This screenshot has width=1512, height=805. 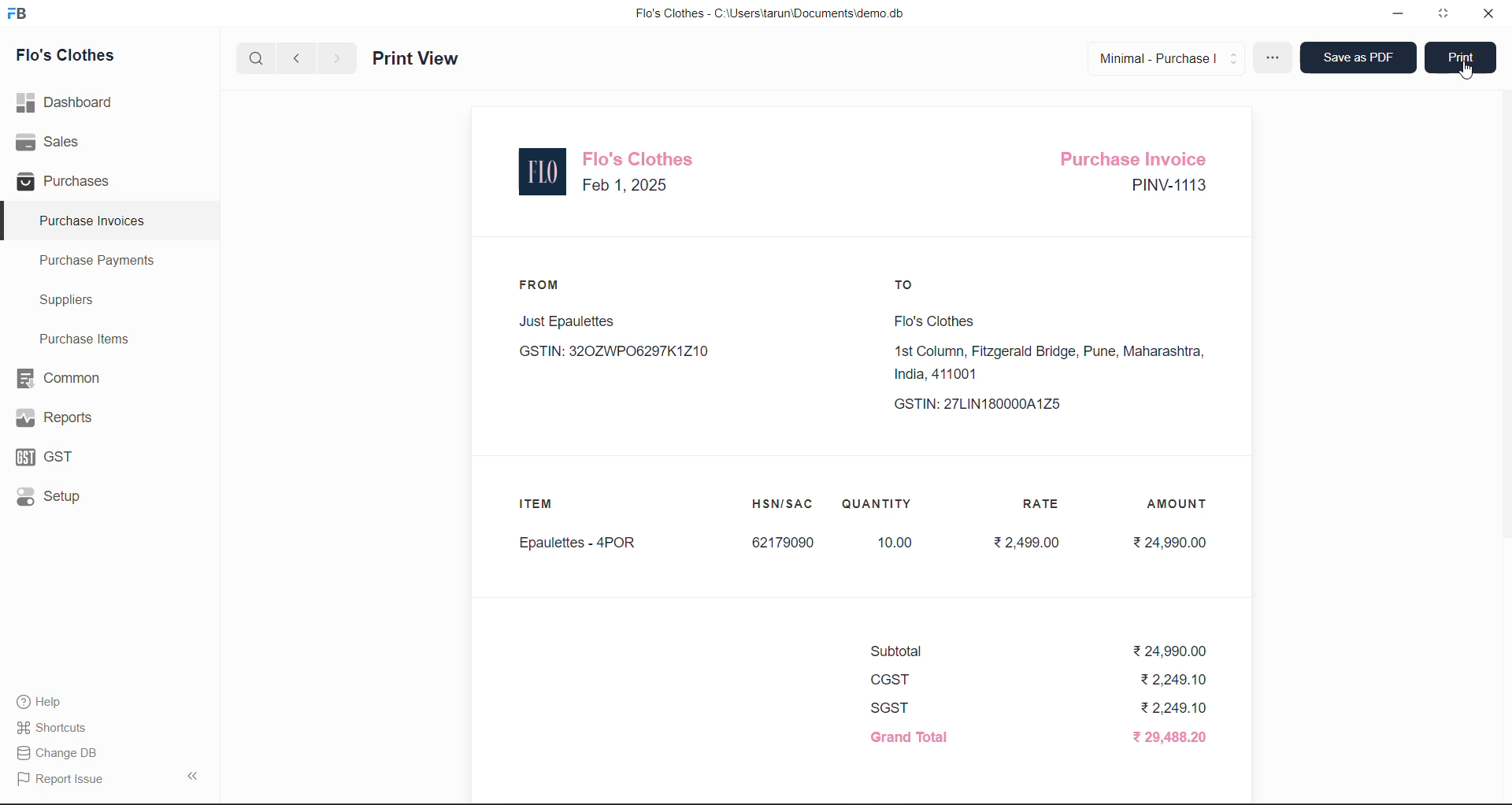 I want to click on ₹2,499.00, so click(x=1031, y=543).